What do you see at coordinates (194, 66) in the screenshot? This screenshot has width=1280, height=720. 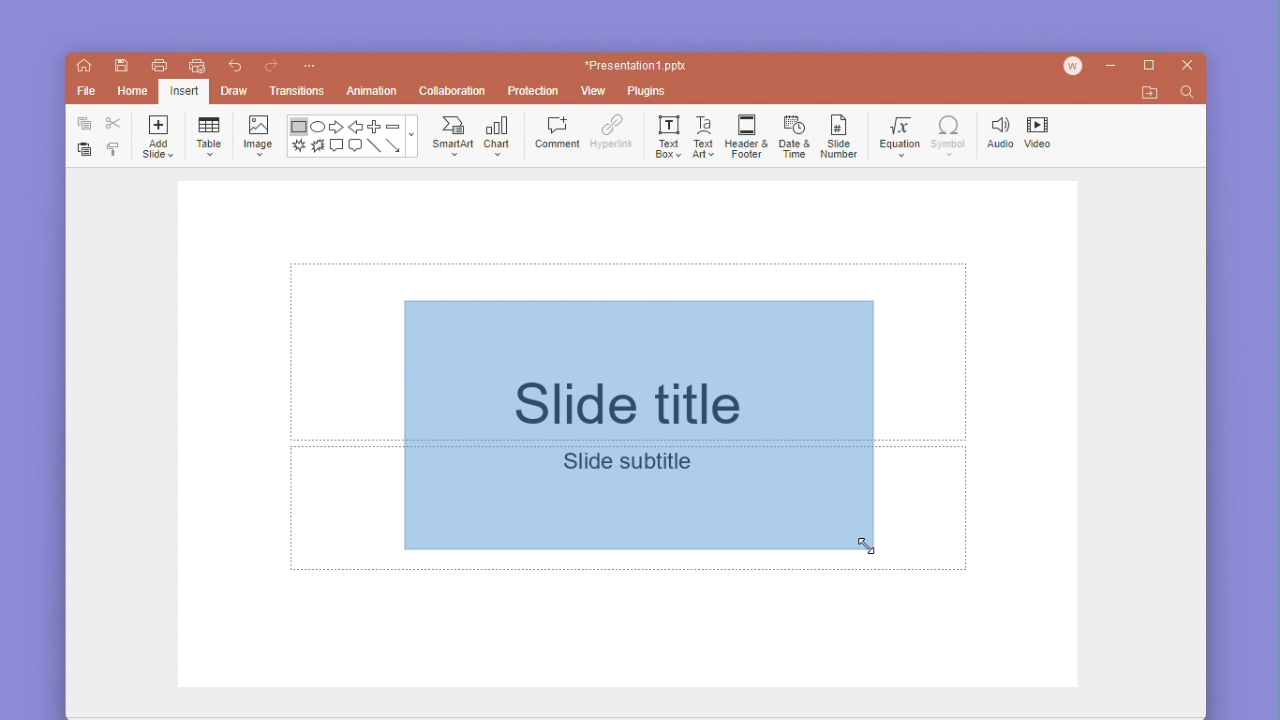 I see `quick print` at bounding box center [194, 66].